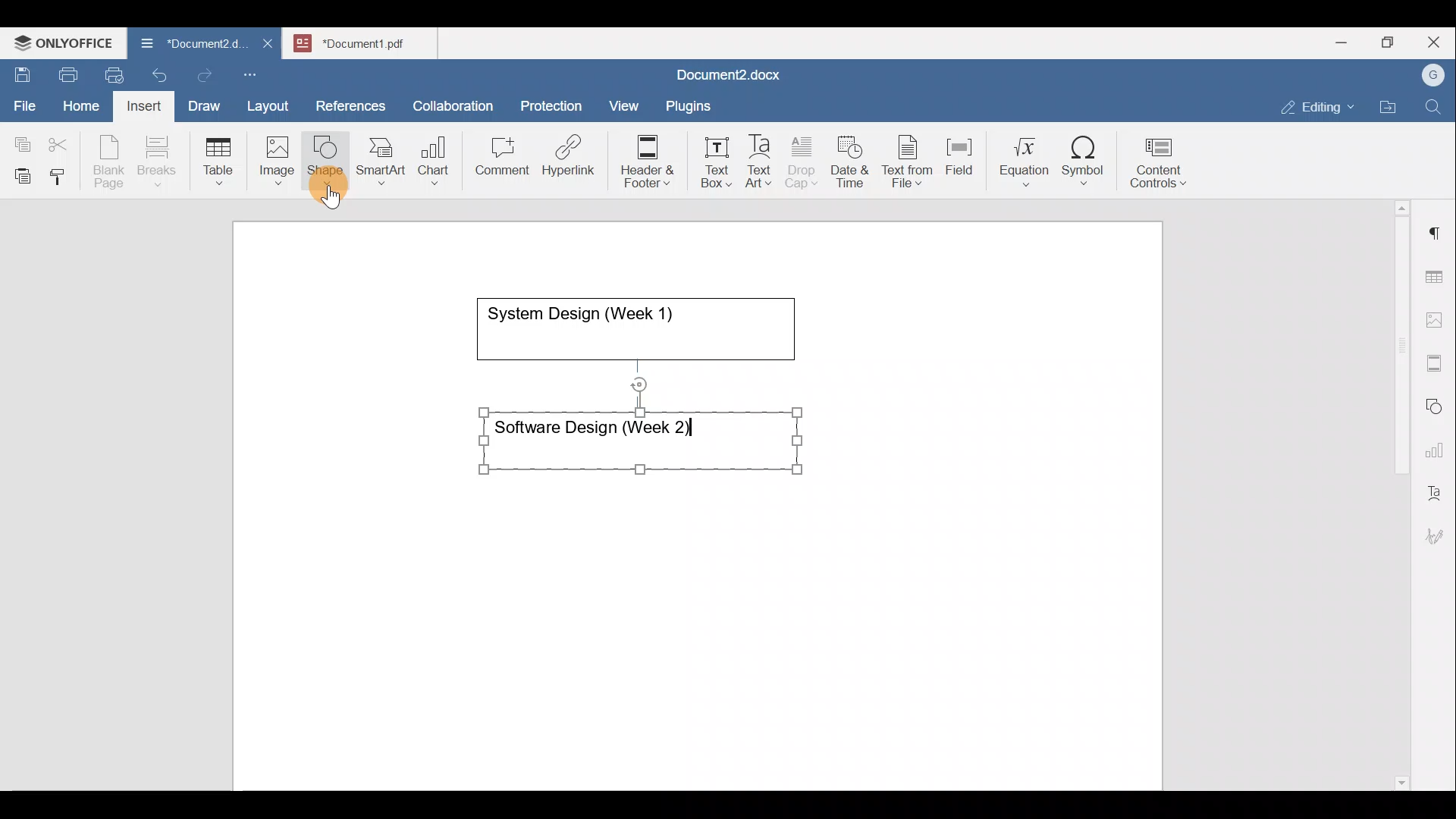 The image size is (1456, 819). I want to click on Headers & footers, so click(1437, 359).